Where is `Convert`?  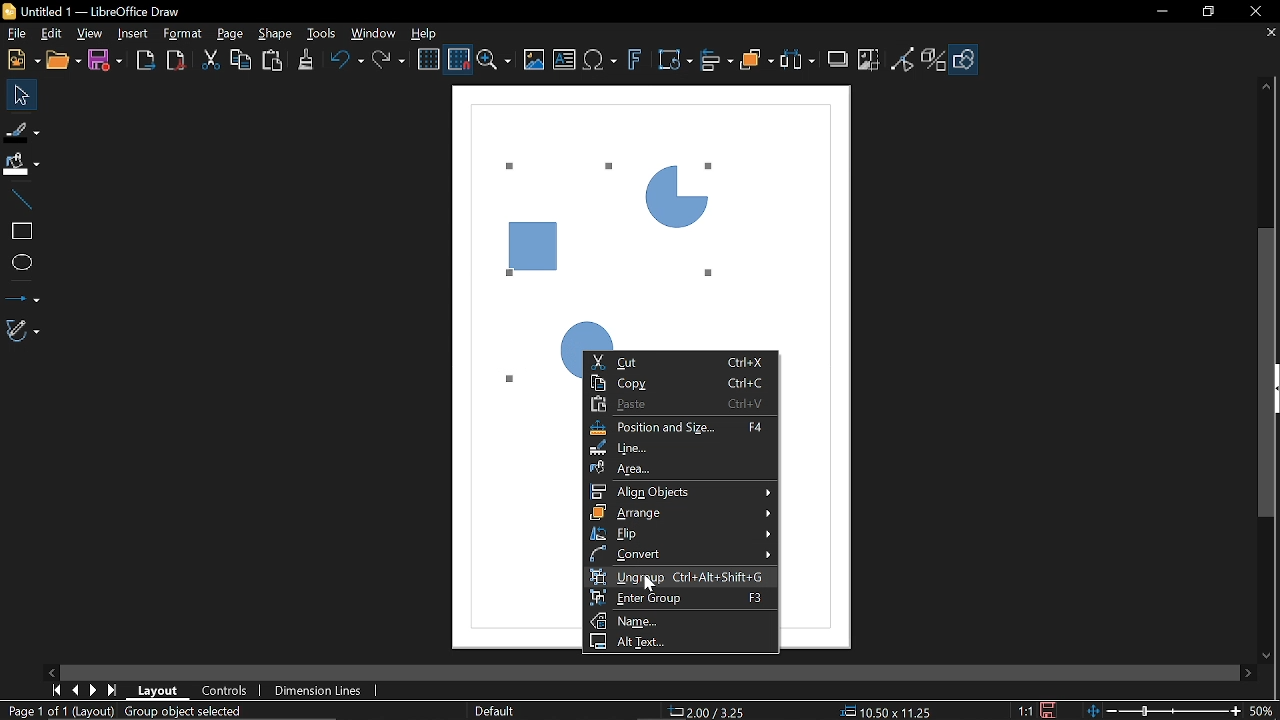
Convert is located at coordinates (683, 554).